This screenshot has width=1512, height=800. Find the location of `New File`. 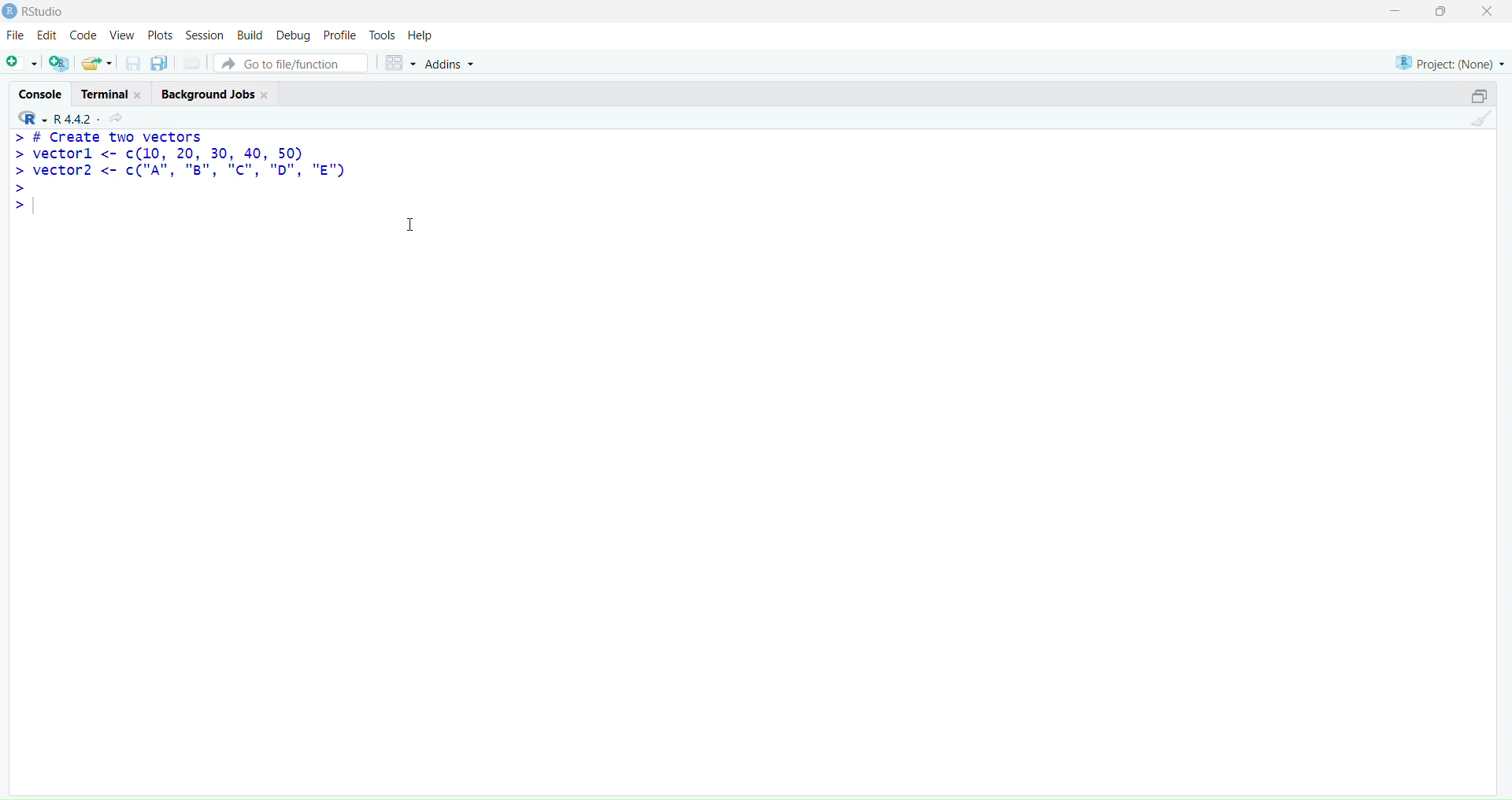

New File is located at coordinates (21, 64).